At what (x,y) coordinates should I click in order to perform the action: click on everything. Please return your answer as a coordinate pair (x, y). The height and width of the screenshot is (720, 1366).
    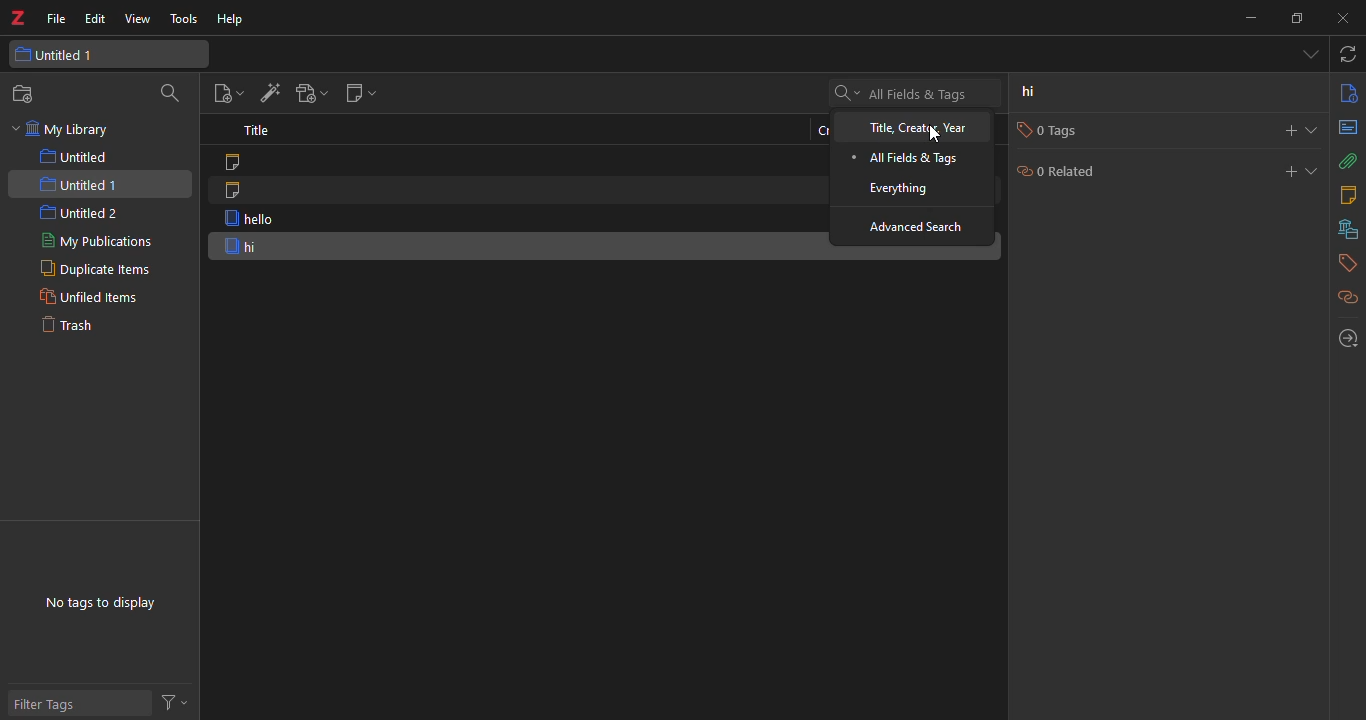
    Looking at the image, I should click on (897, 190).